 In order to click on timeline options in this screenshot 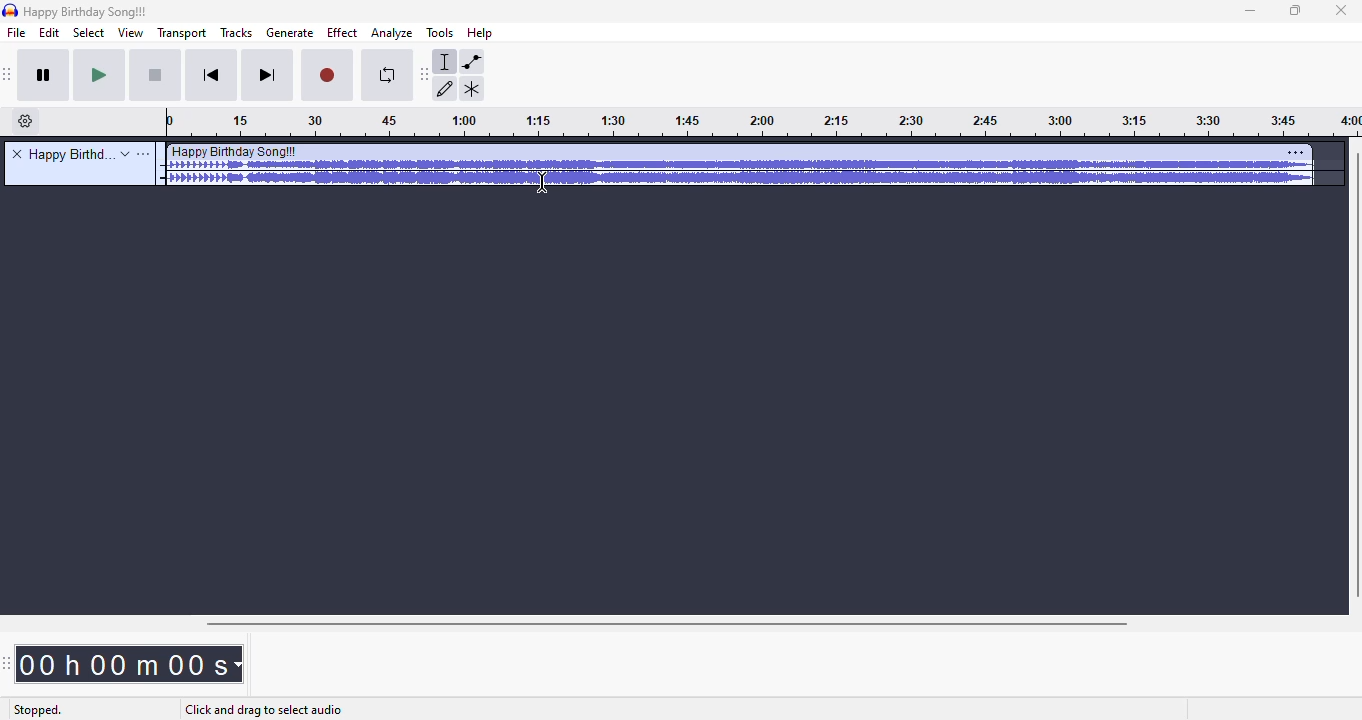, I will do `click(26, 121)`.